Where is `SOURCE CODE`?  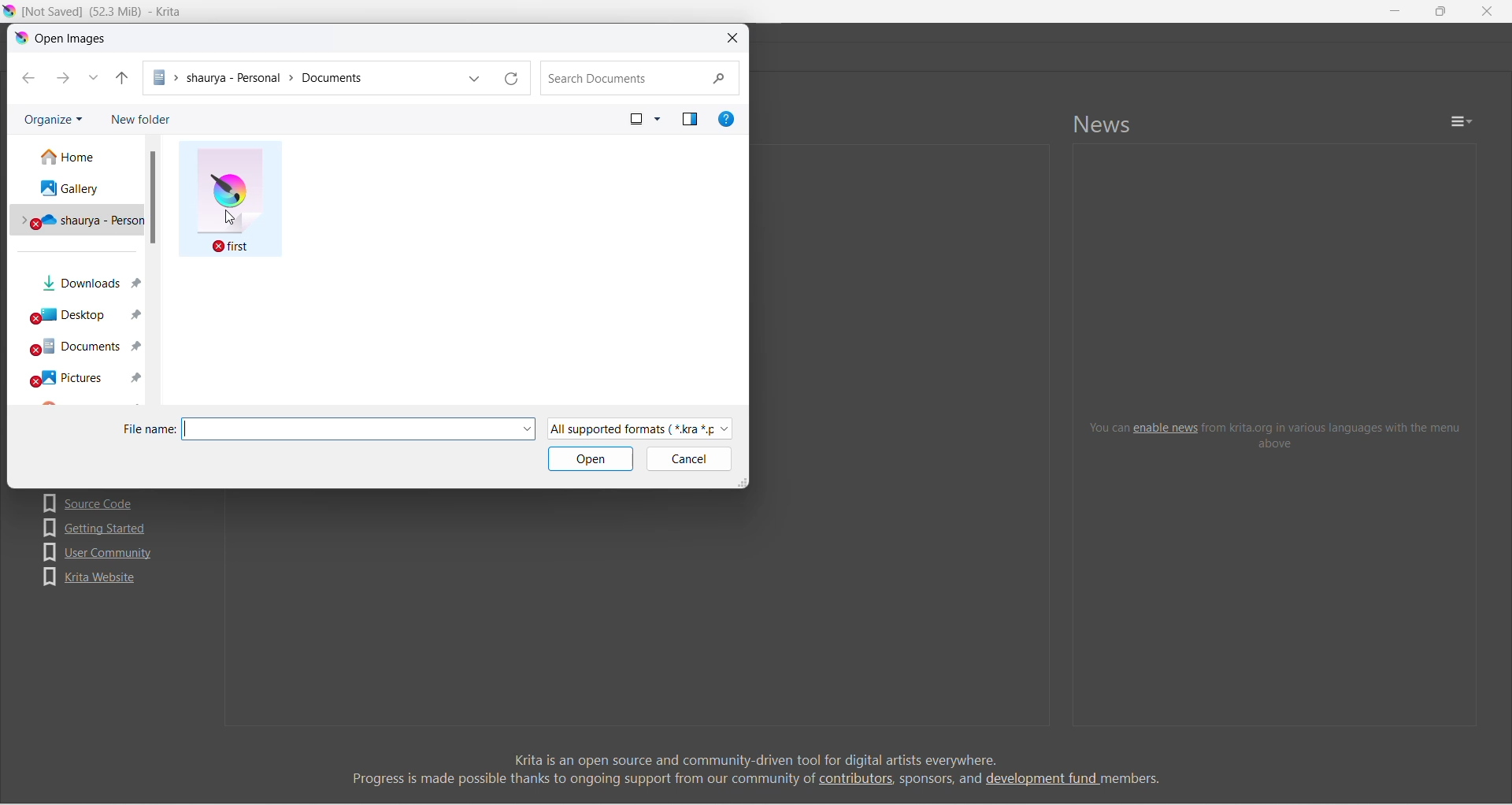 SOURCE CODE is located at coordinates (94, 503).